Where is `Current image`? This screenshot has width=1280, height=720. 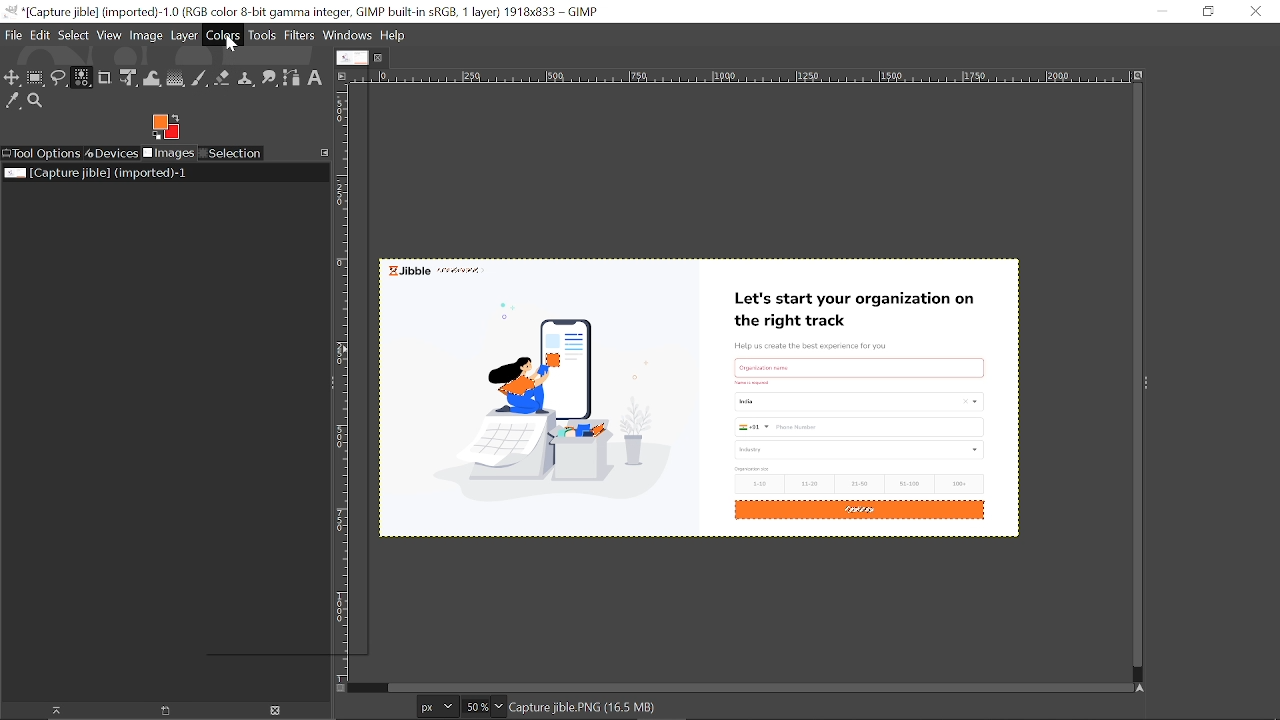
Current image is located at coordinates (712, 408).